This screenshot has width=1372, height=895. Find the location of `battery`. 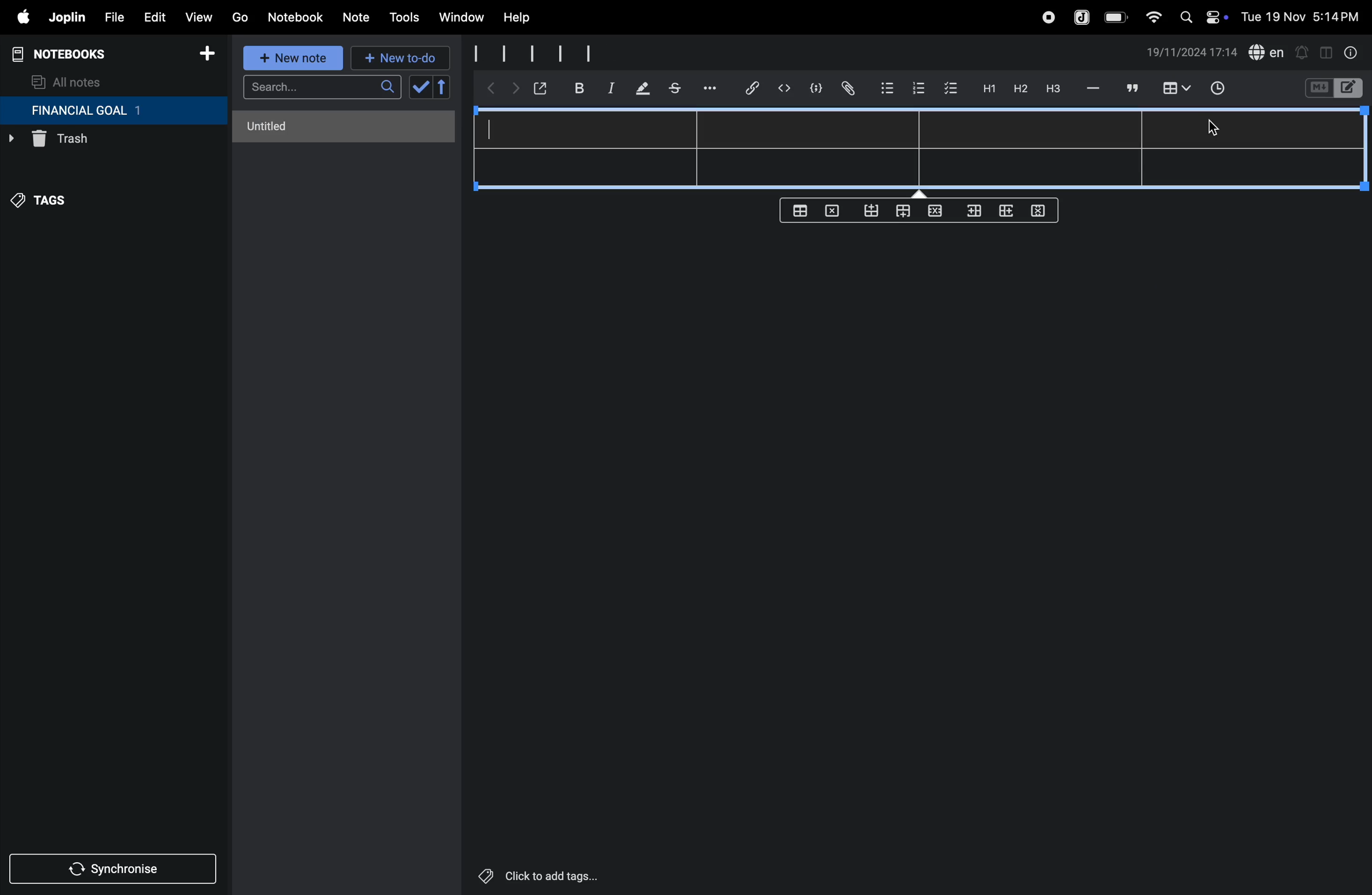

battery is located at coordinates (1117, 17).